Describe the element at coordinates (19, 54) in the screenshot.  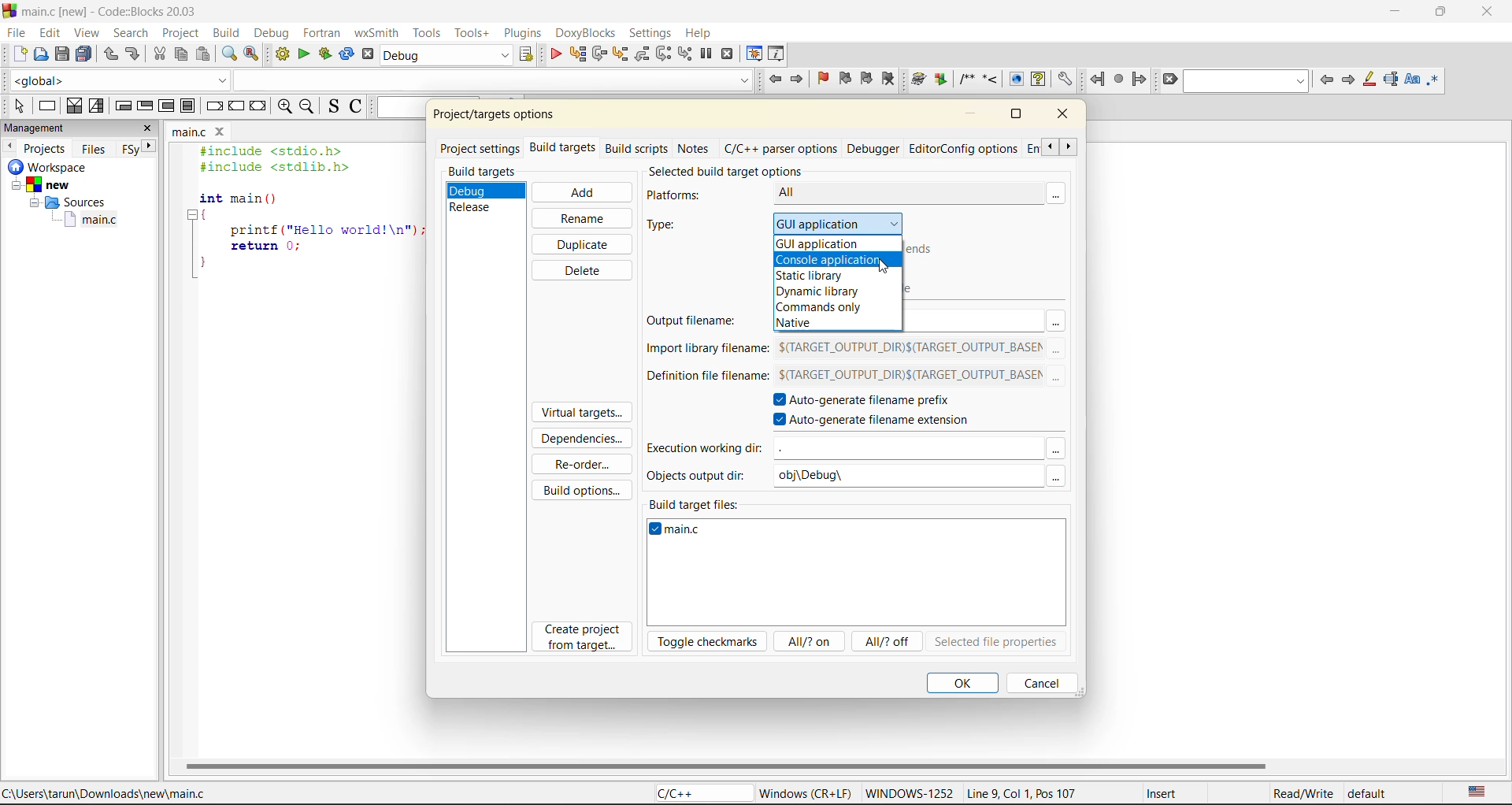
I see `new` at that location.